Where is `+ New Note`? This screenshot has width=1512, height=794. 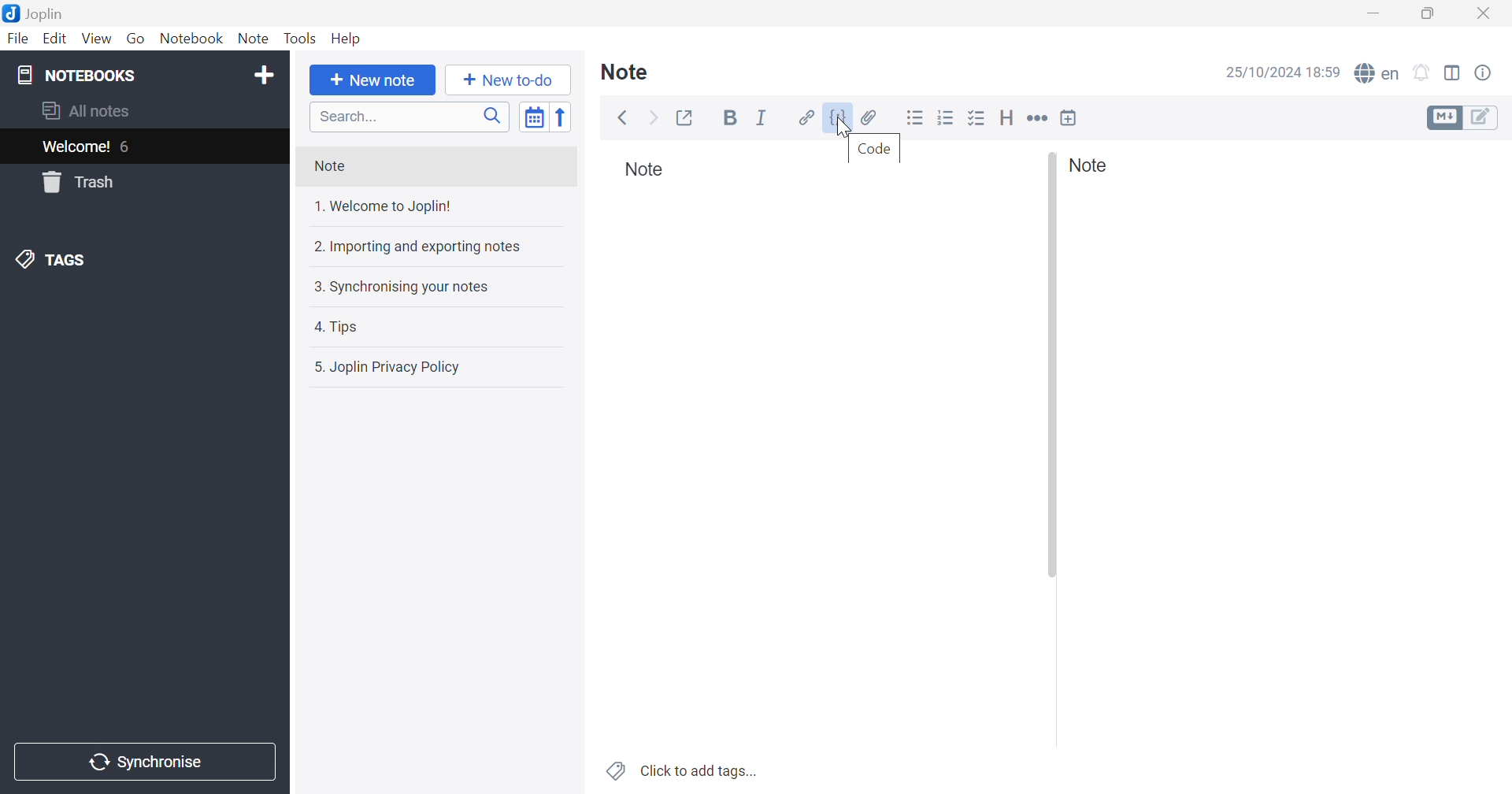
+ New Note is located at coordinates (375, 81).